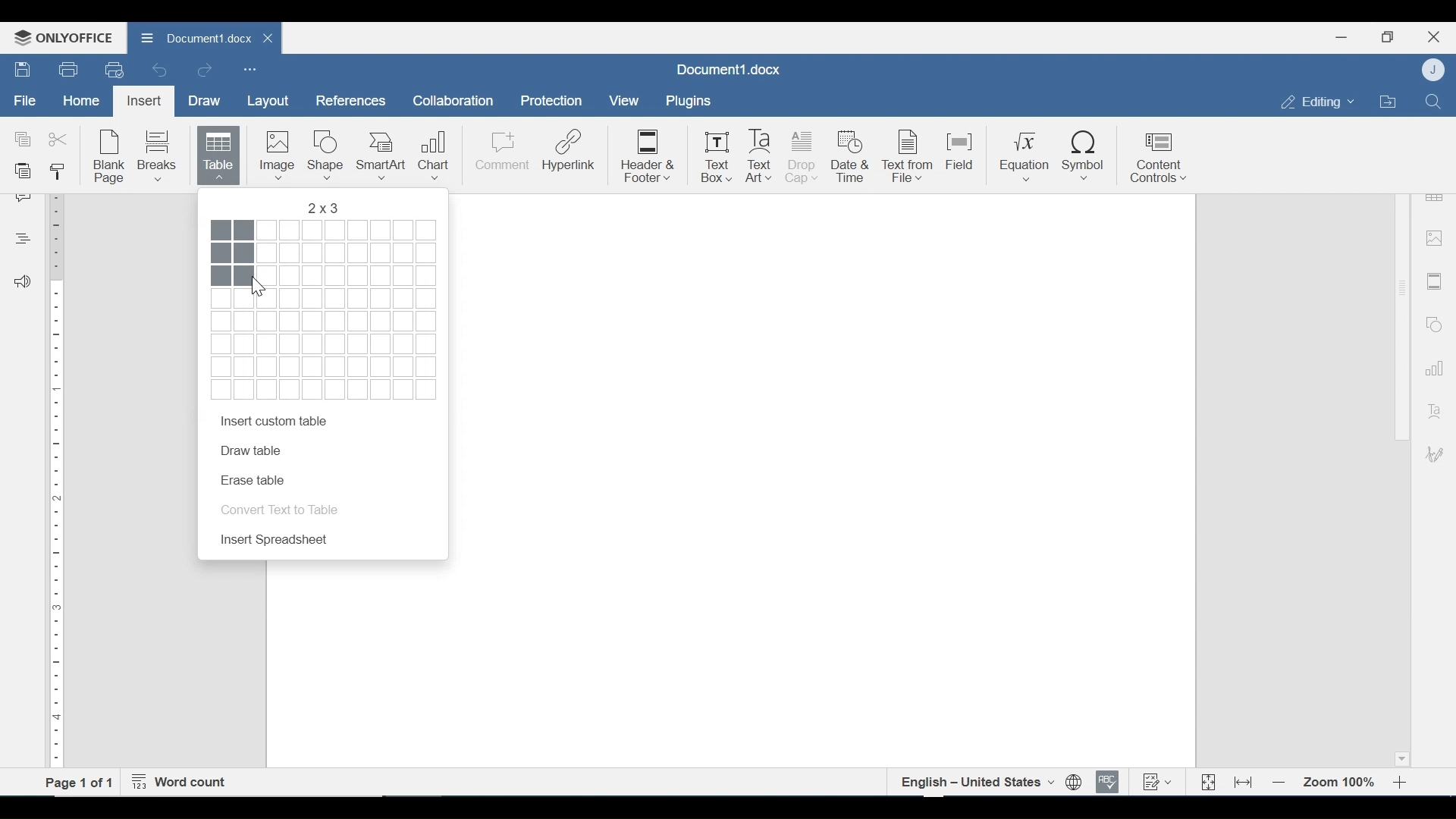  Describe the element at coordinates (1156, 781) in the screenshot. I see `Track Changes` at that location.